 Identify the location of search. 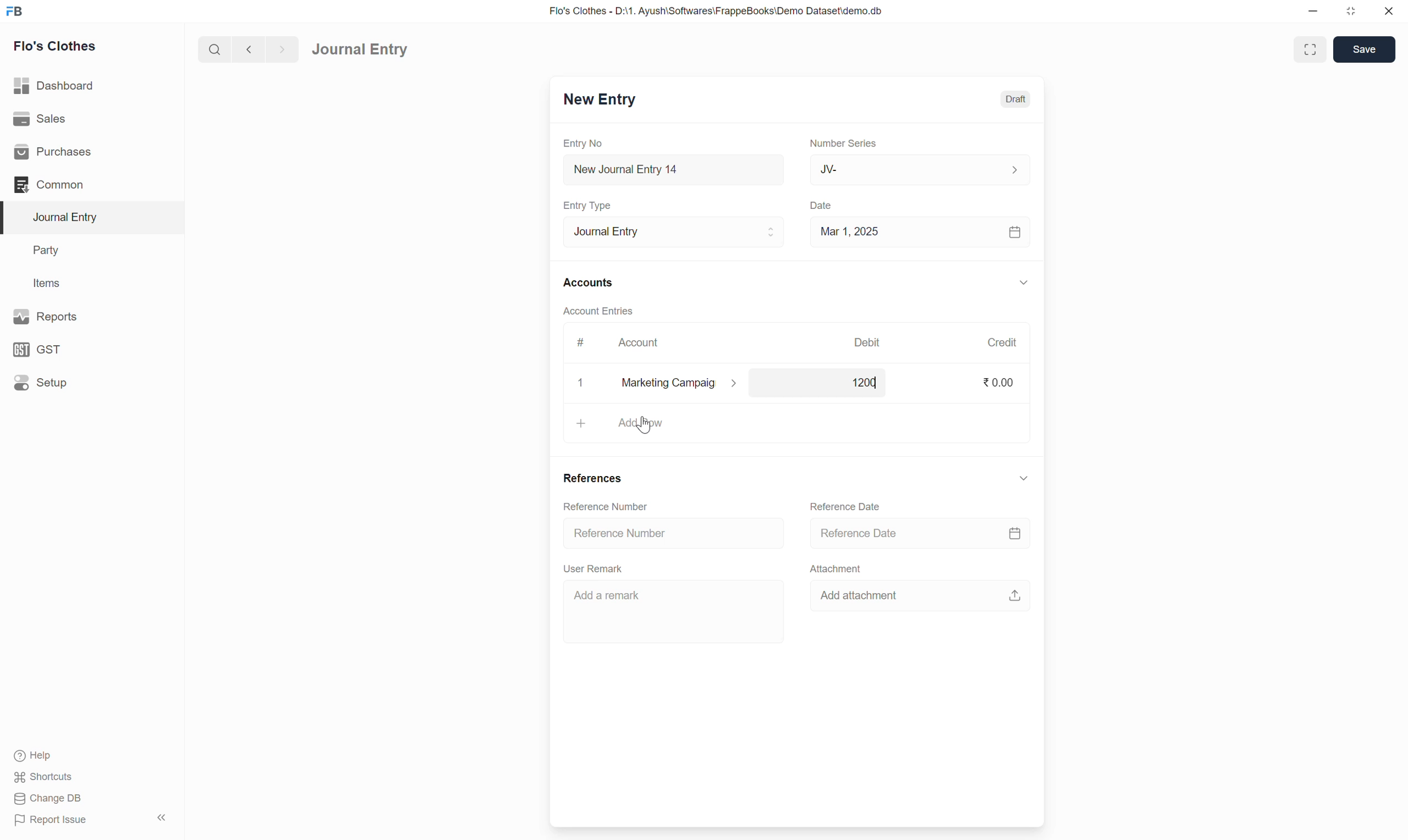
(213, 49).